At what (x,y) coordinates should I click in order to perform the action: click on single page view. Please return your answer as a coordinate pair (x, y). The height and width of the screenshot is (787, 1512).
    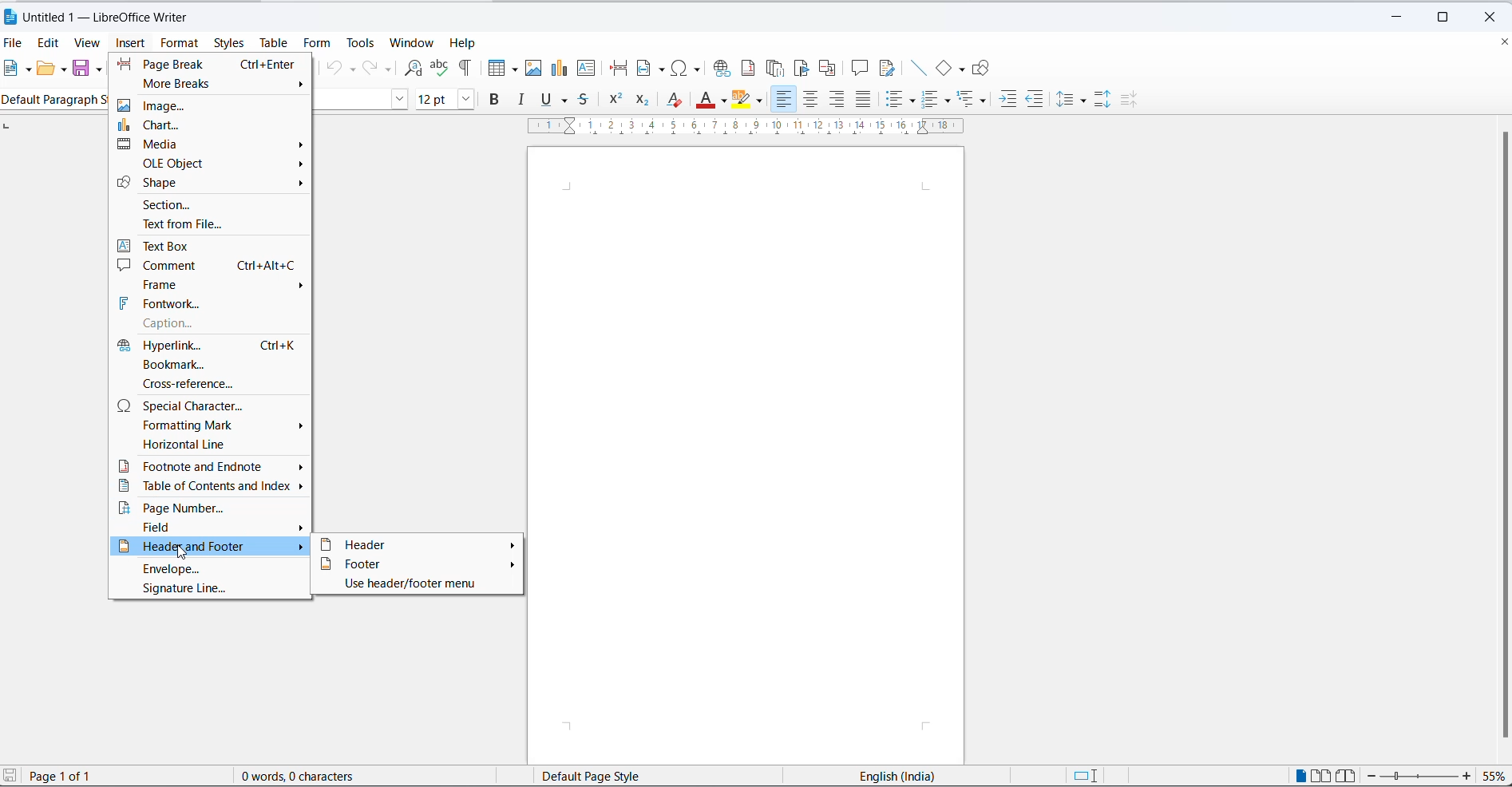
    Looking at the image, I should click on (1300, 776).